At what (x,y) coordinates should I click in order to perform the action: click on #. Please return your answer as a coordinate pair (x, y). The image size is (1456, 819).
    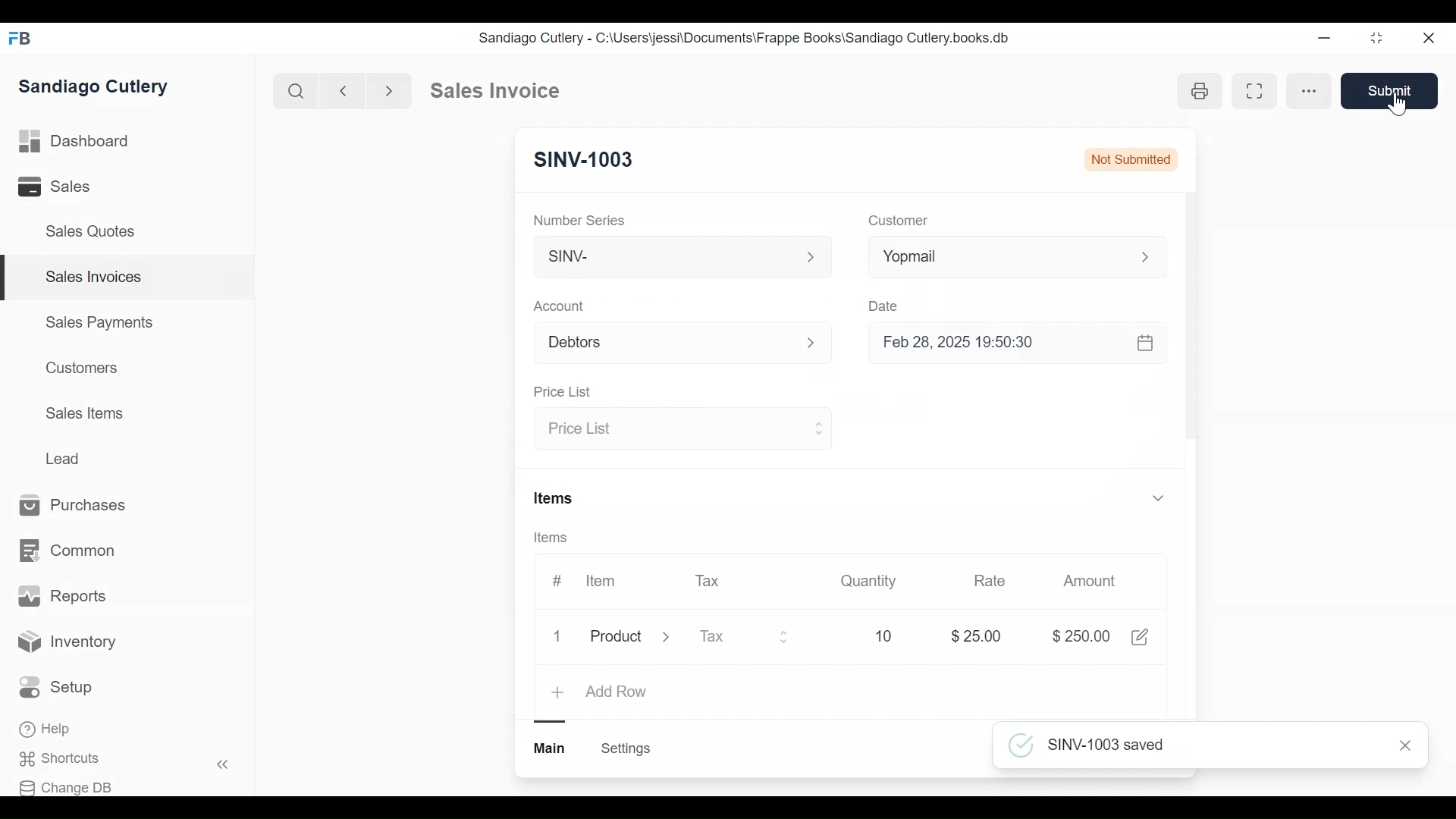
    Looking at the image, I should click on (557, 579).